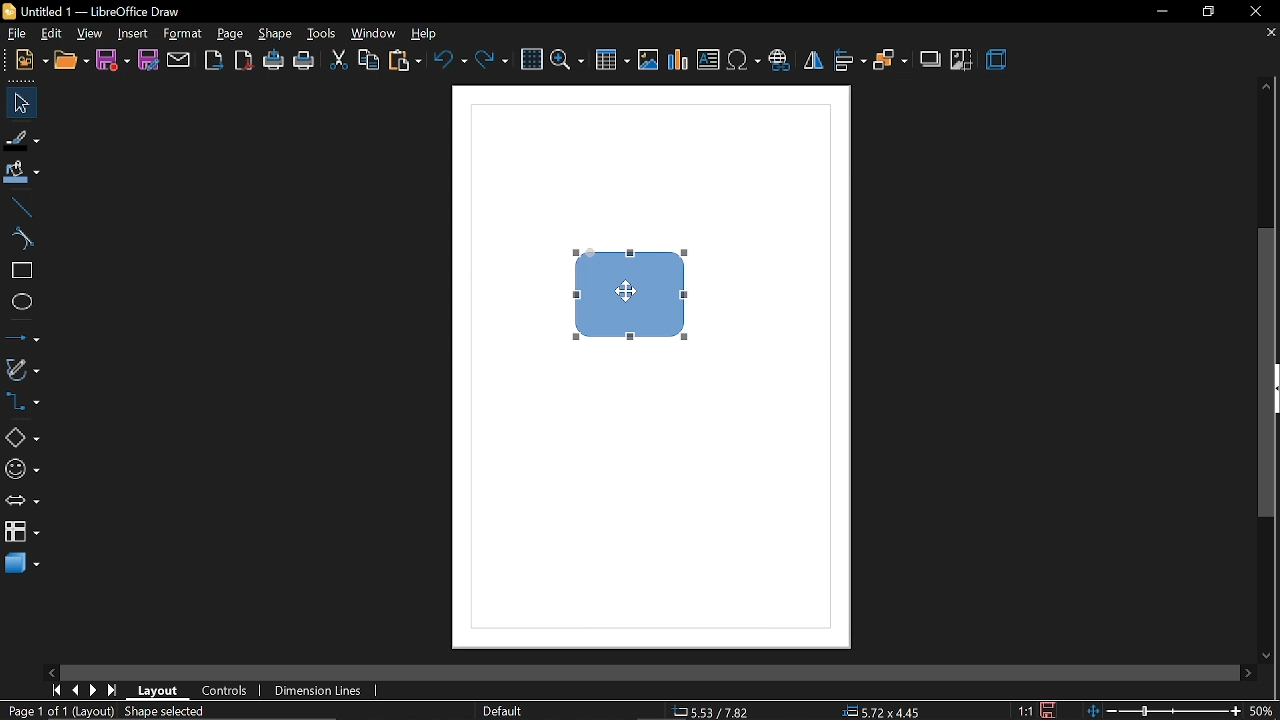 The width and height of the screenshot is (1280, 720). What do you see at coordinates (17, 104) in the screenshot?
I see `select` at bounding box center [17, 104].